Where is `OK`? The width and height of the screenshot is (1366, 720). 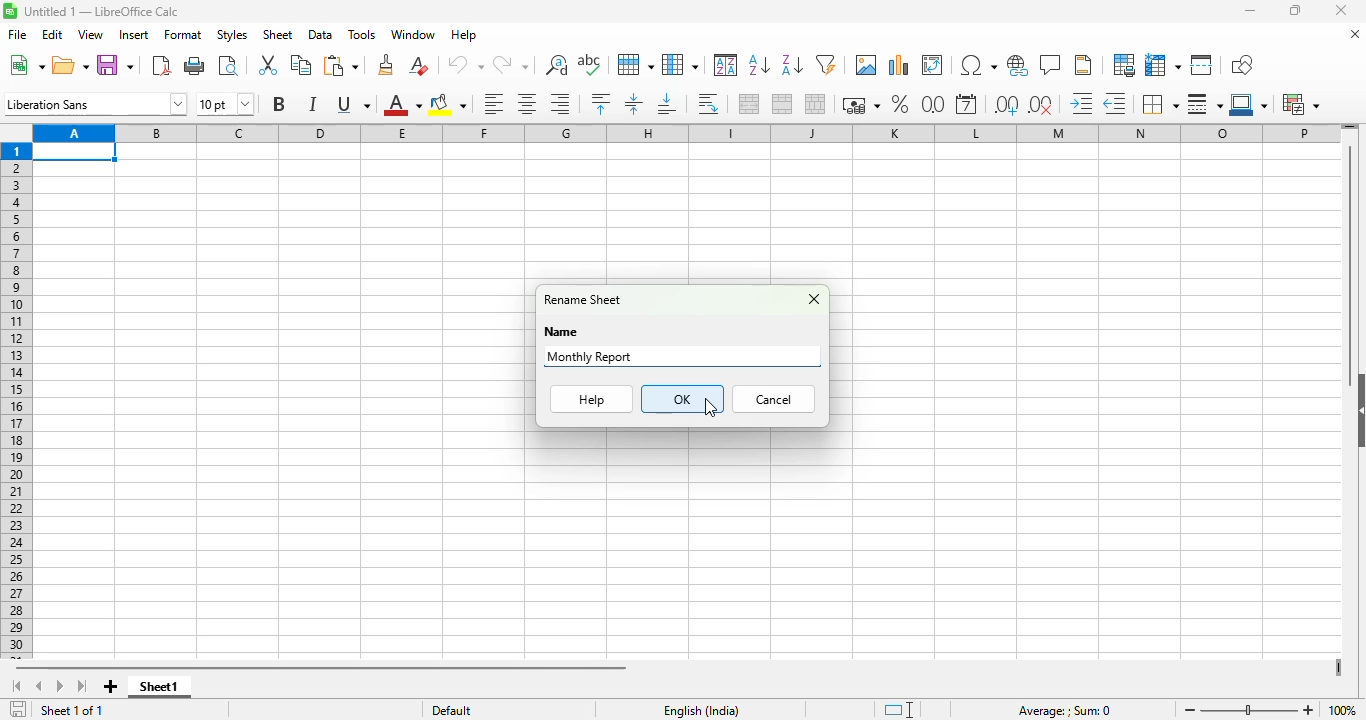
OK is located at coordinates (683, 399).